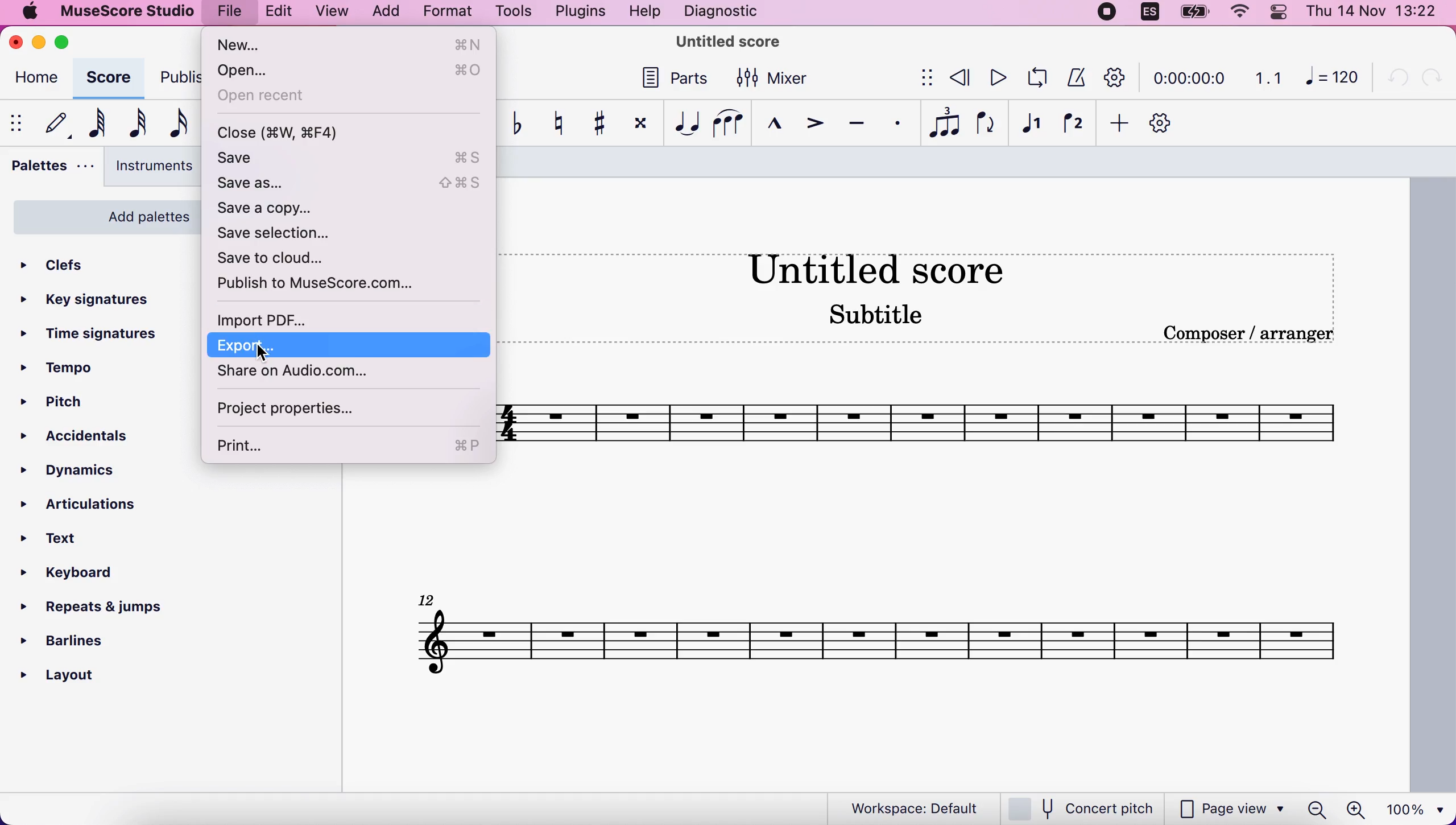 The width and height of the screenshot is (1456, 825). Describe the element at coordinates (729, 40) in the screenshot. I see `title` at that location.